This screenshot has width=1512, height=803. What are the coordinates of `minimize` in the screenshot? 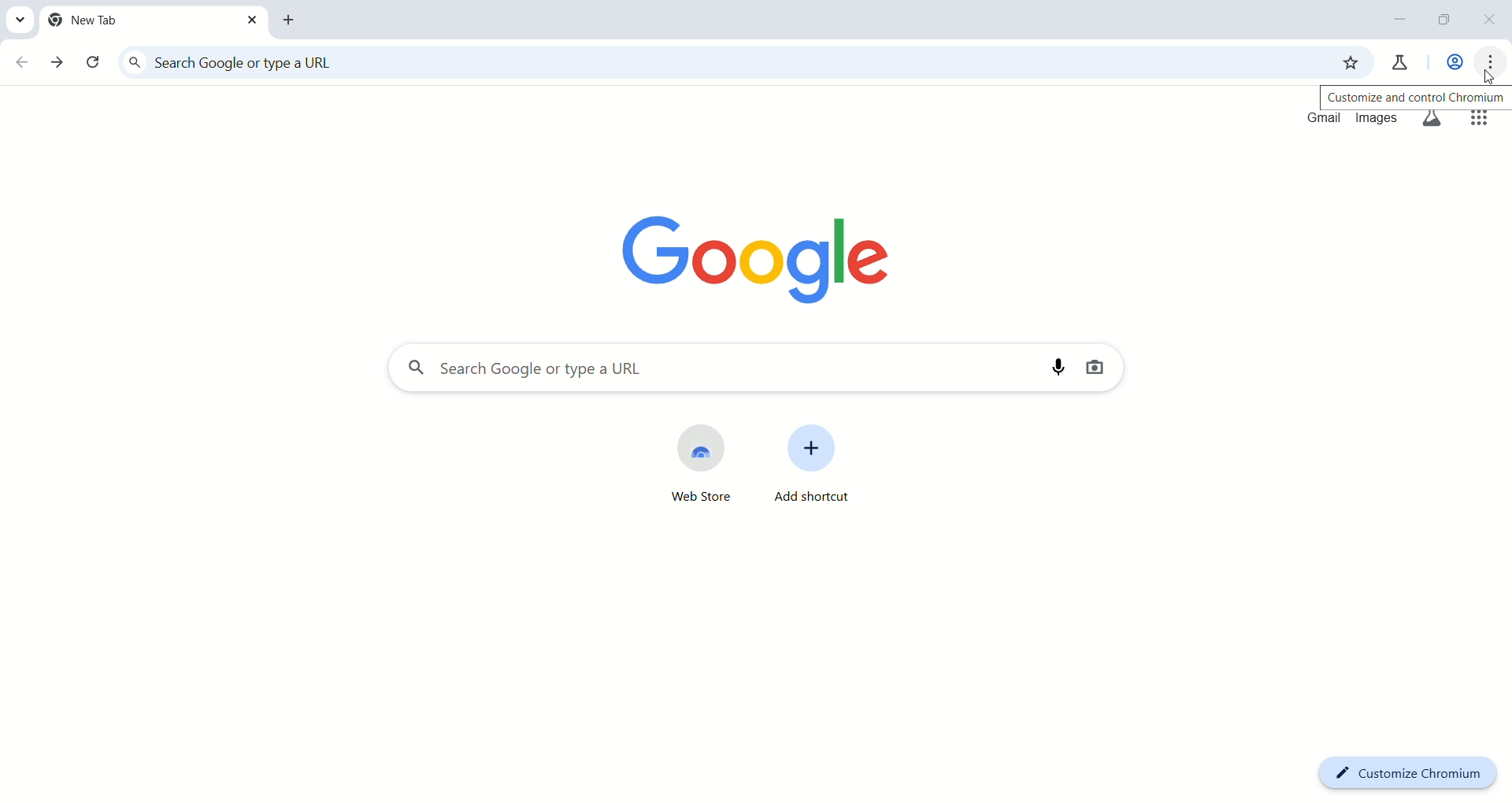 It's located at (1400, 18).